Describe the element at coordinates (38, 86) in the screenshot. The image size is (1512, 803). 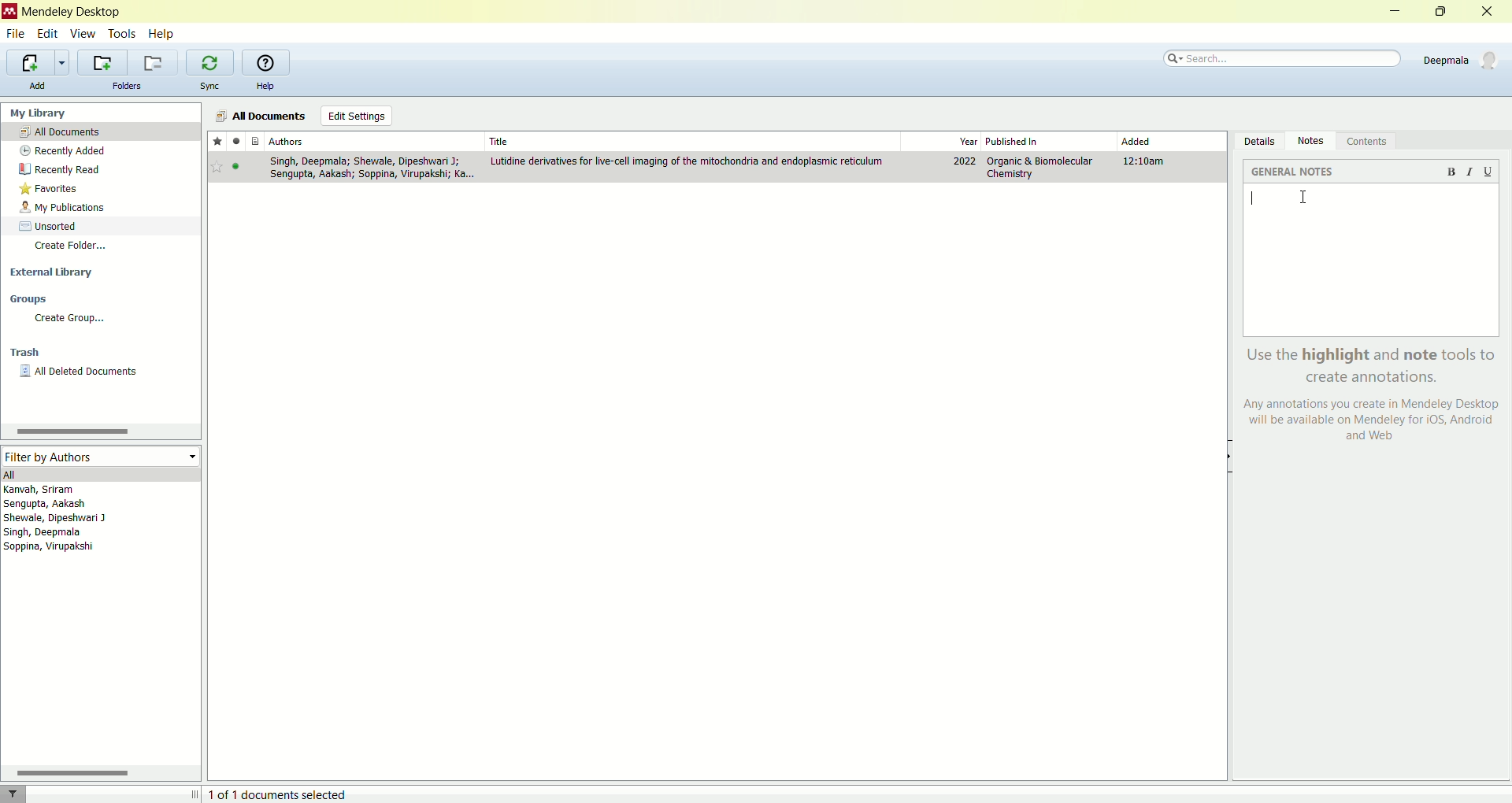
I see `add` at that location.